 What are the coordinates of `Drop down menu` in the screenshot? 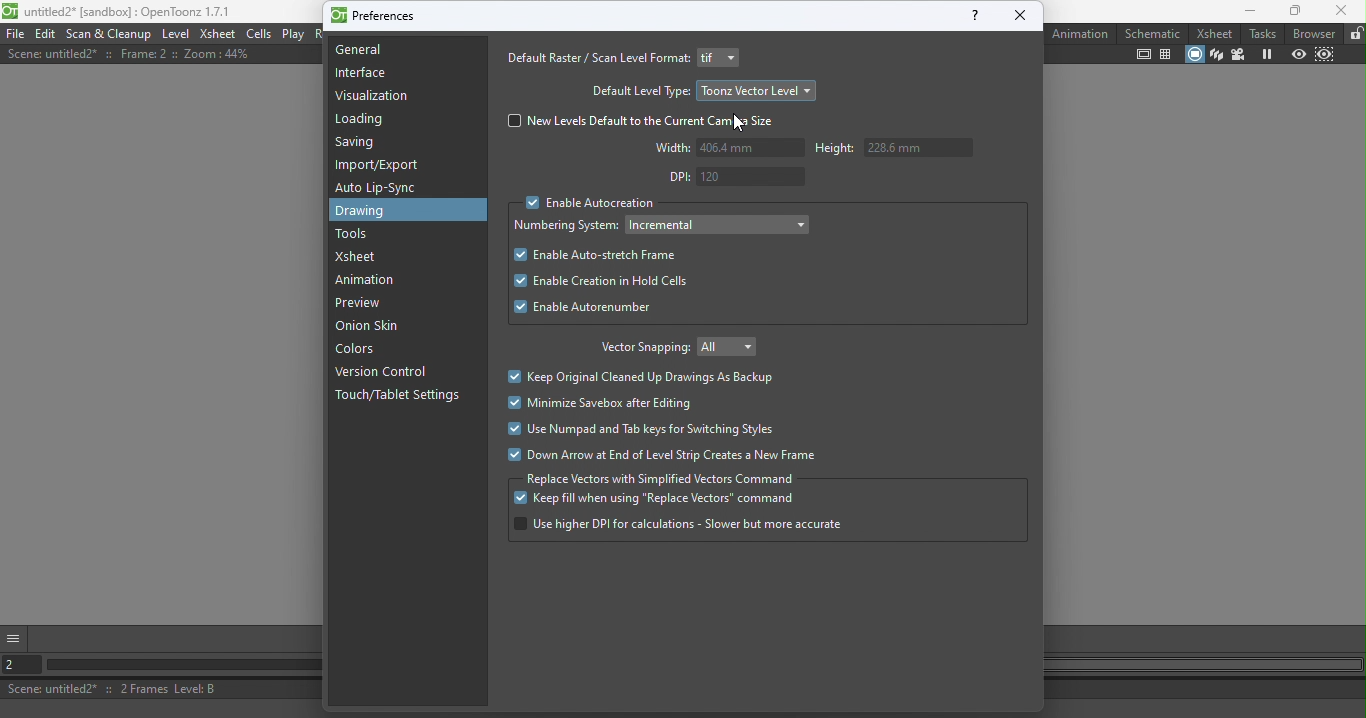 It's located at (734, 345).